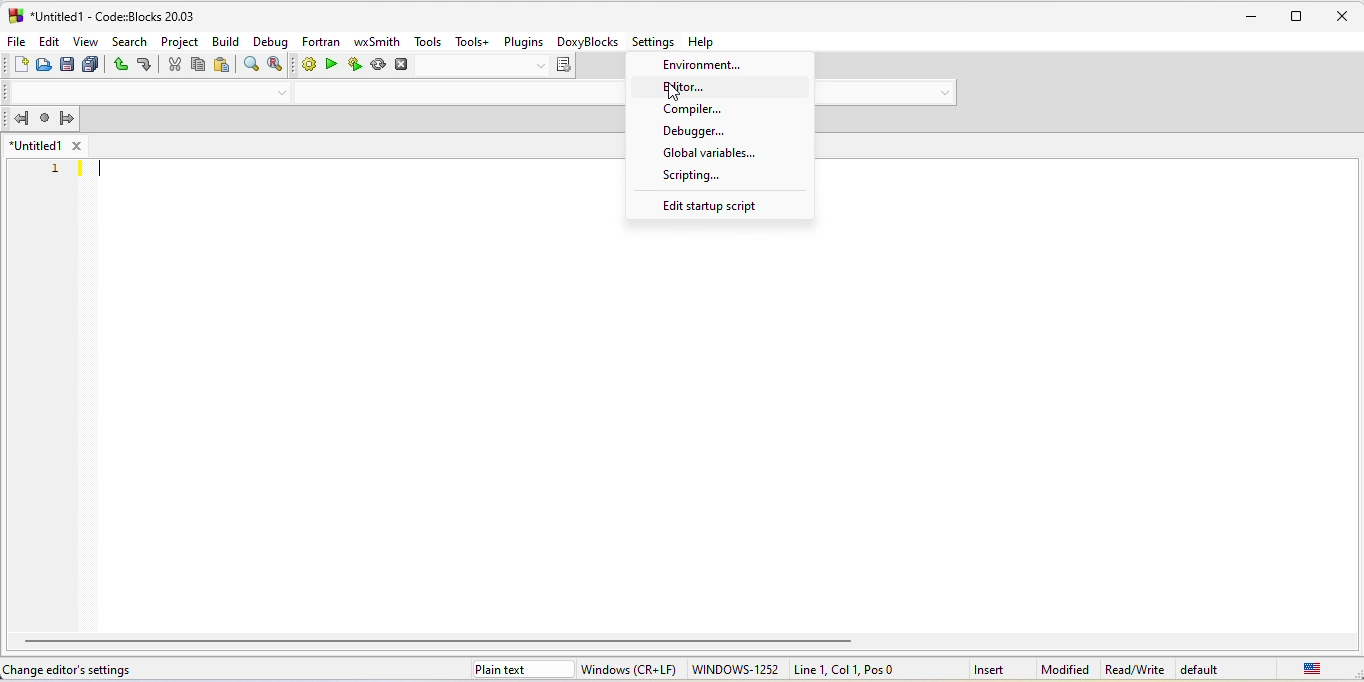 The width and height of the screenshot is (1364, 682). Describe the element at coordinates (1256, 16) in the screenshot. I see `minimize` at that location.